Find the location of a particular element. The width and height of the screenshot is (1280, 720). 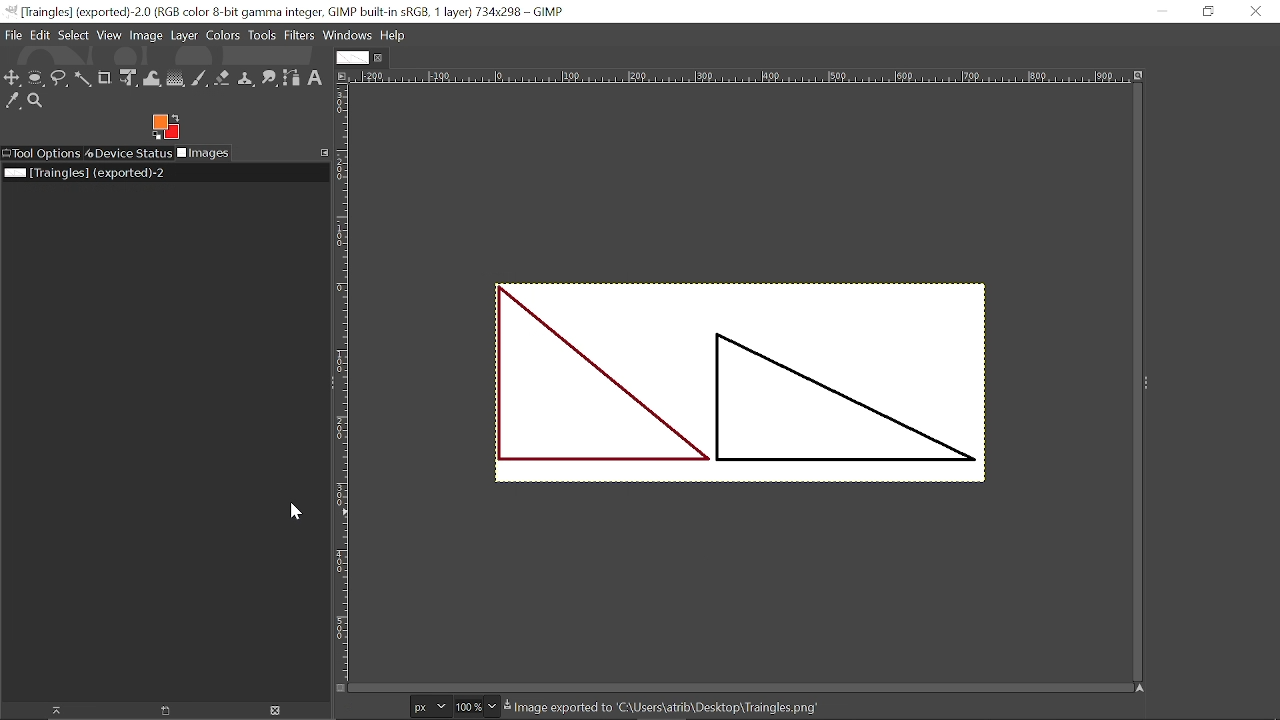

Clone tool is located at coordinates (246, 79).